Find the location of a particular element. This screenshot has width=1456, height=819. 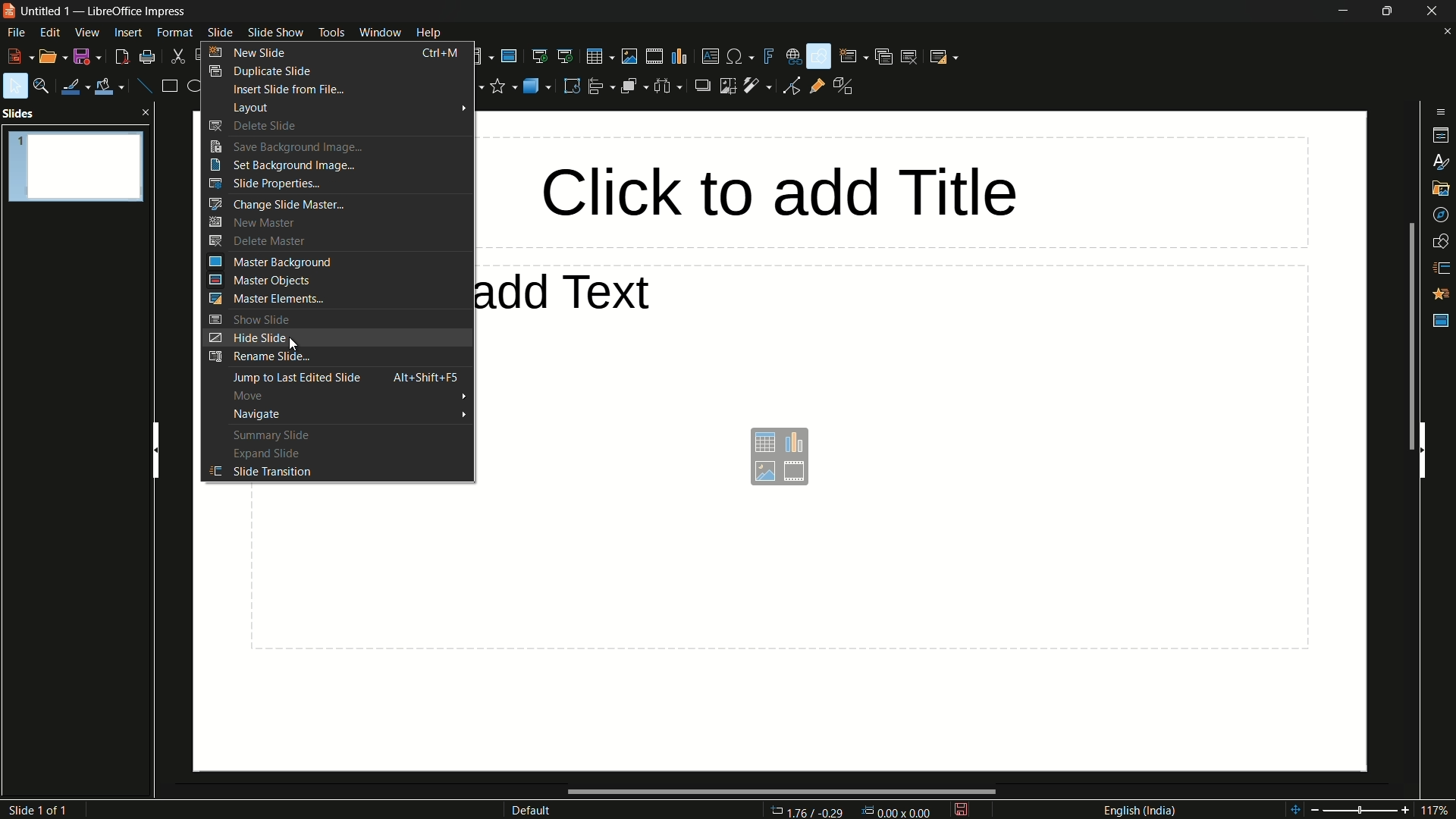

rename slide is located at coordinates (258, 358).